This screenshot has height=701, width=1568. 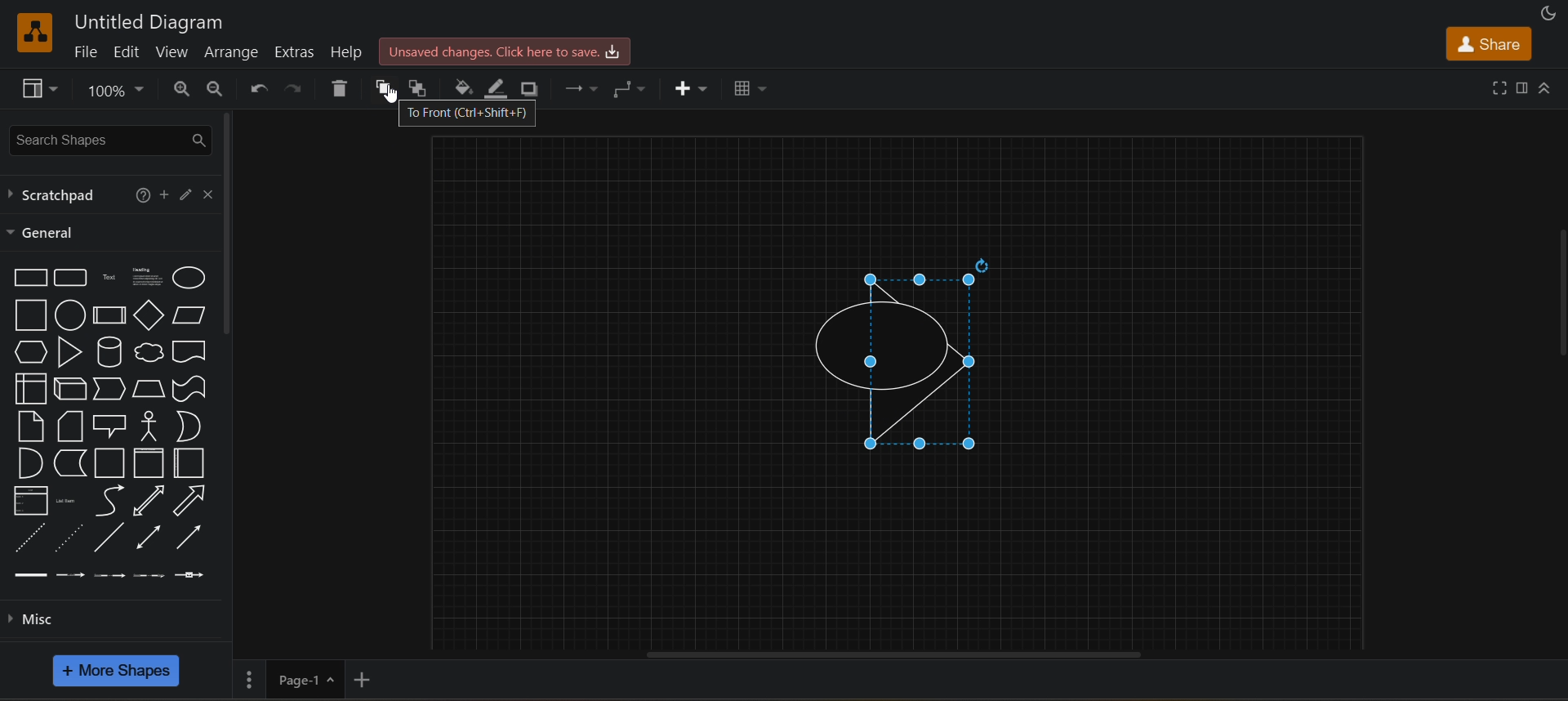 I want to click on diamond, so click(x=149, y=315).